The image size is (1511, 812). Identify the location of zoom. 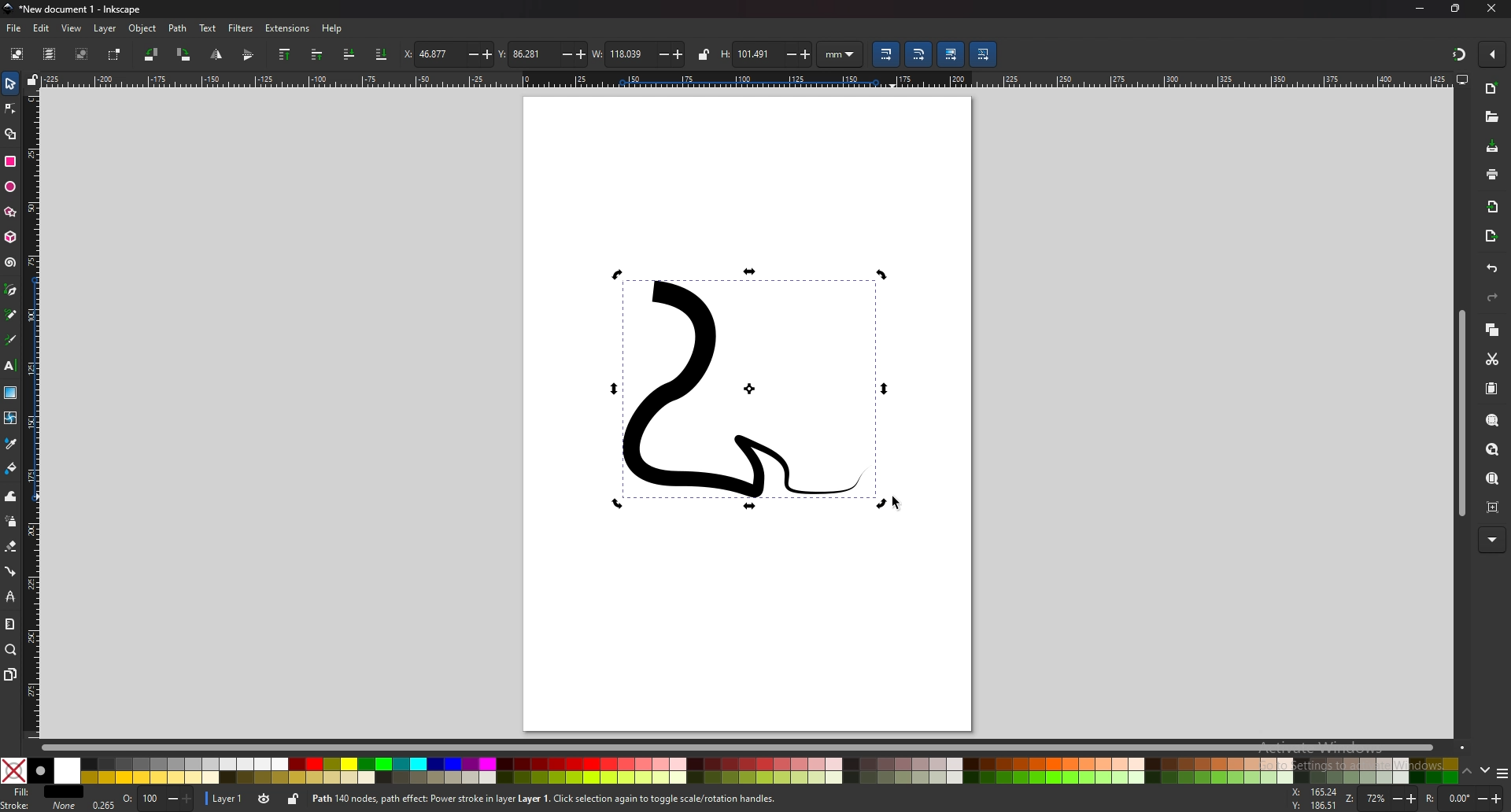
(10, 650).